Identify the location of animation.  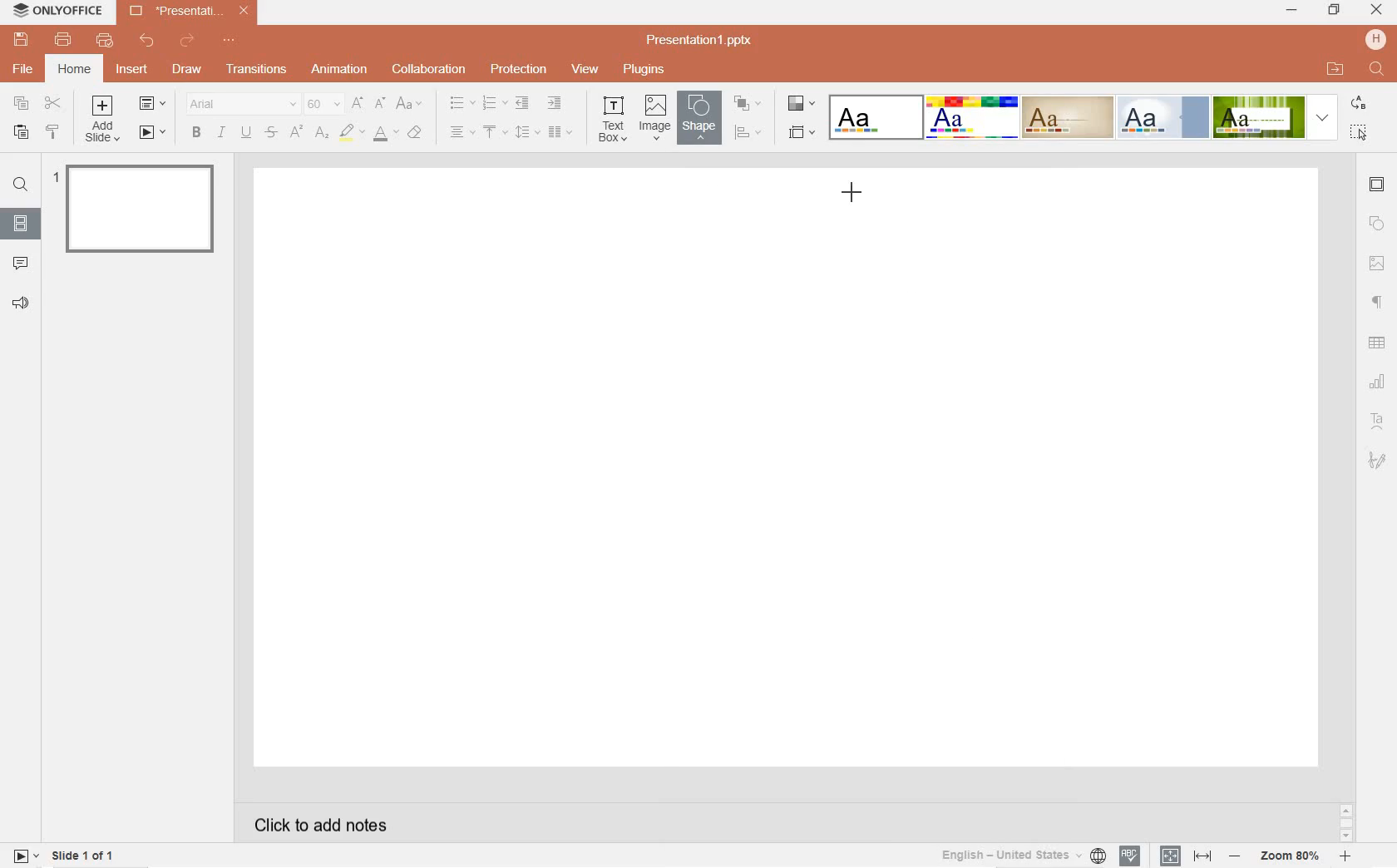
(340, 70).